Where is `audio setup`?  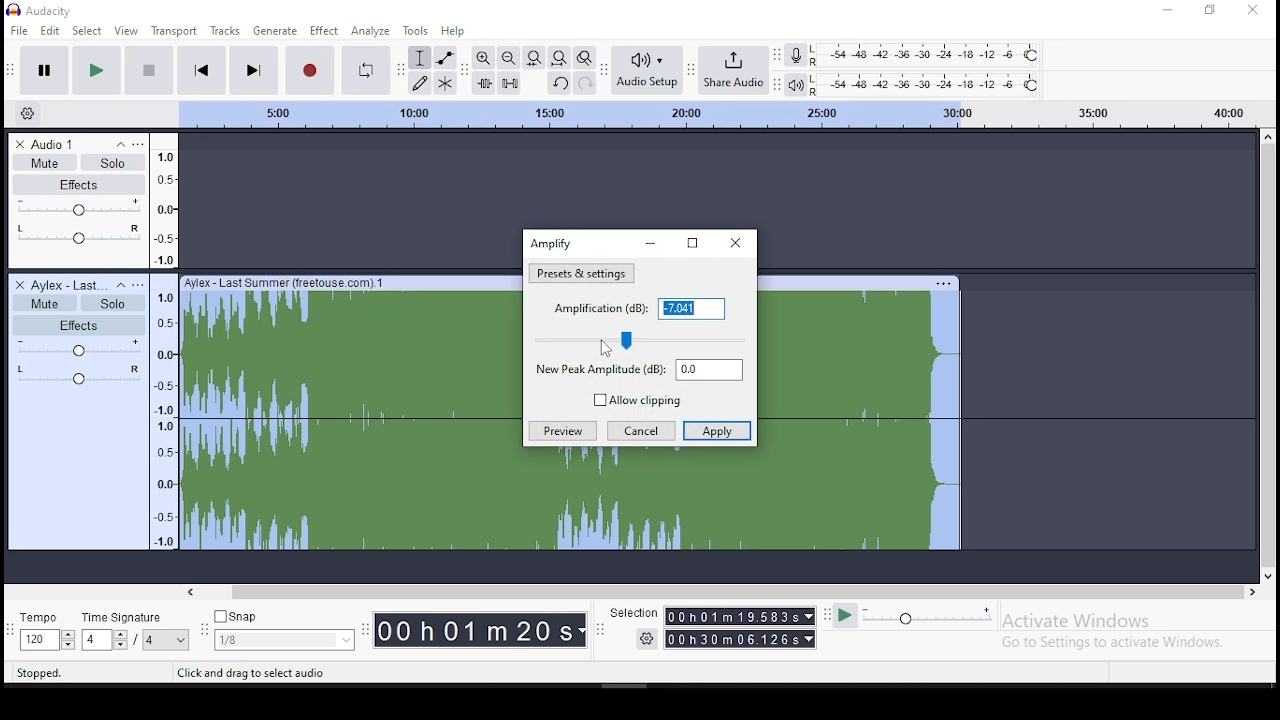
audio setup is located at coordinates (650, 70).